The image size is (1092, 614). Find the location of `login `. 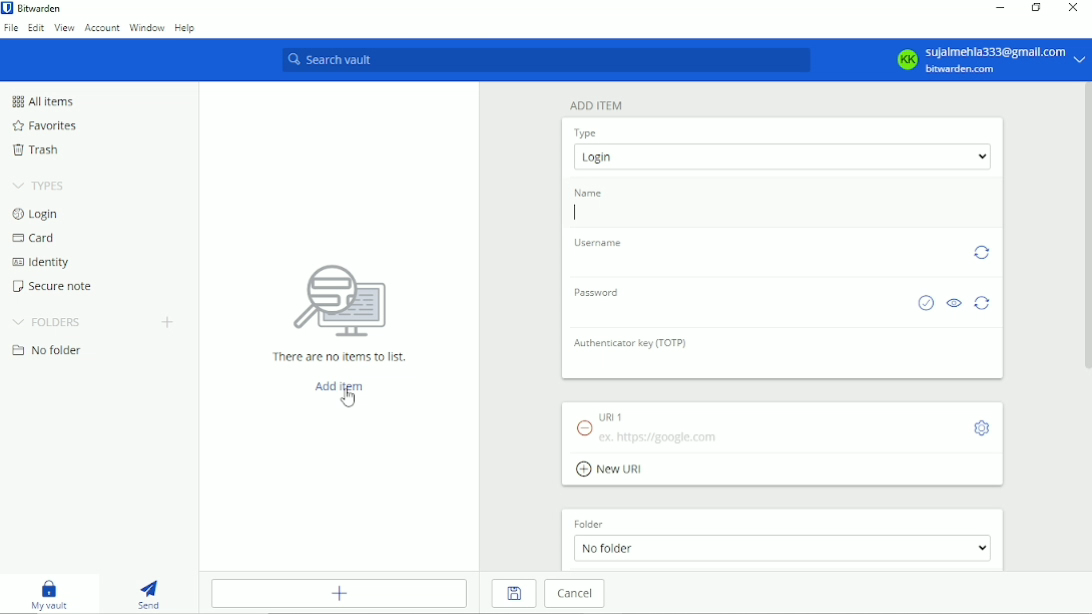

login  is located at coordinates (782, 156).